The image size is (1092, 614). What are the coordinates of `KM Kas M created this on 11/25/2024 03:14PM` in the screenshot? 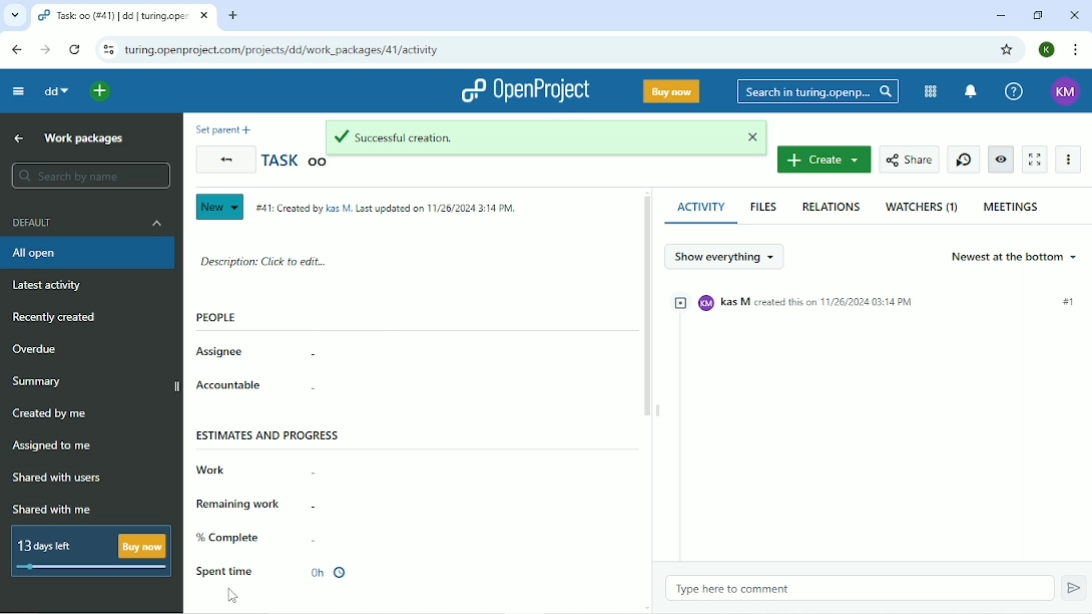 It's located at (875, 303).